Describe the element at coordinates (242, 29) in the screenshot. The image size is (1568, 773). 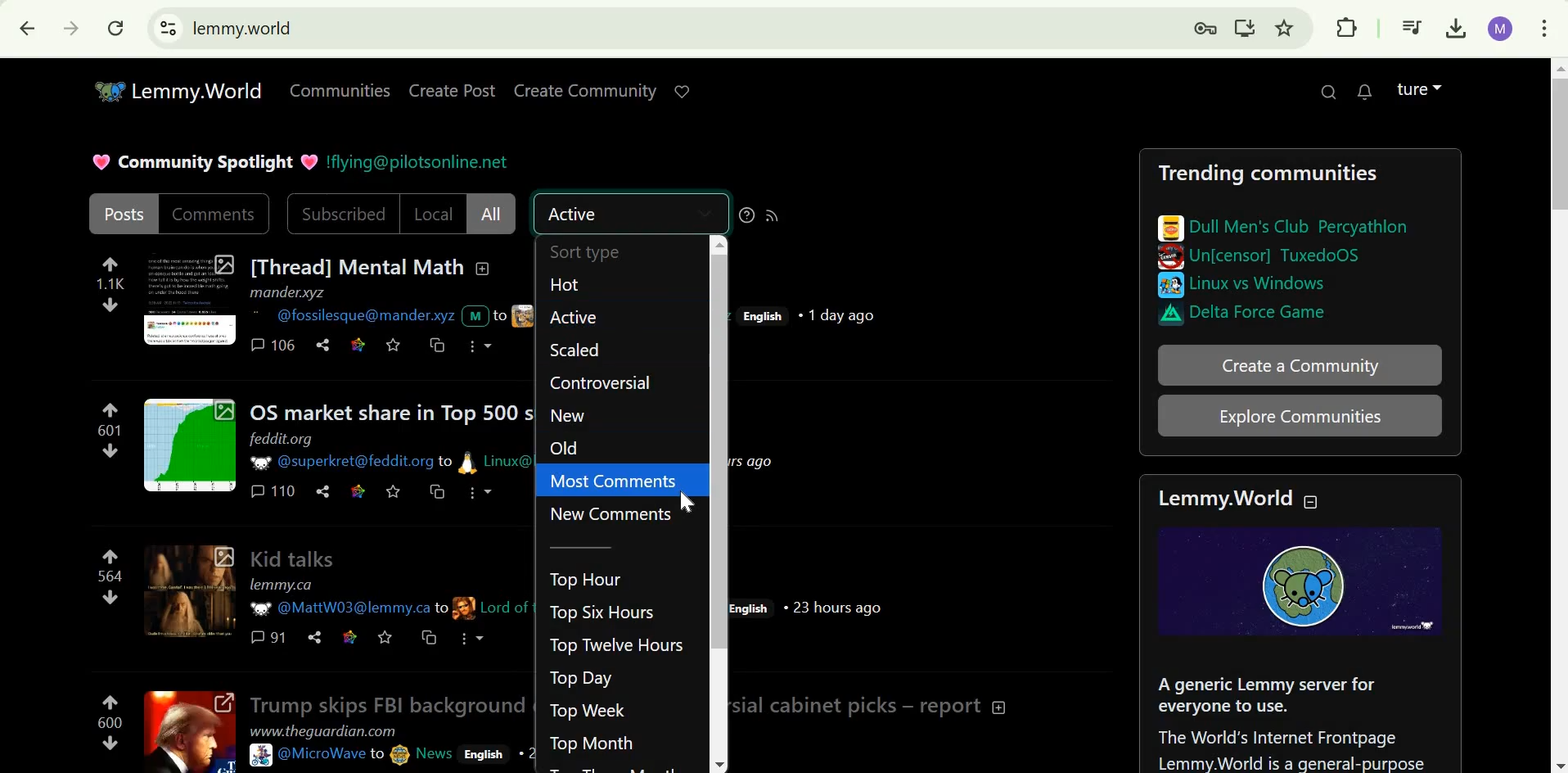
I see `lemmy.world` at that location.